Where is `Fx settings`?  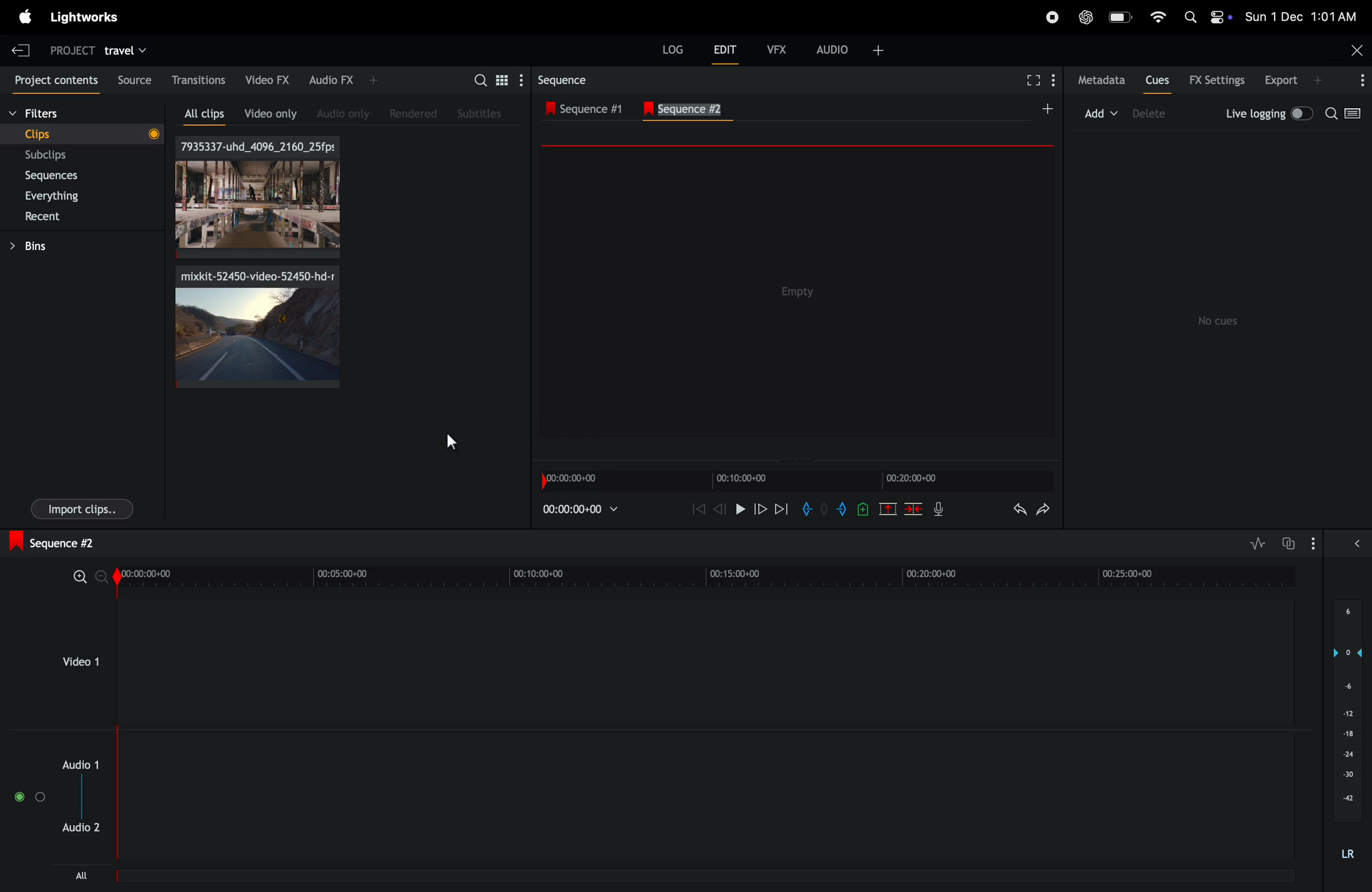 Fx settings is located at coordinates (1216, 80).